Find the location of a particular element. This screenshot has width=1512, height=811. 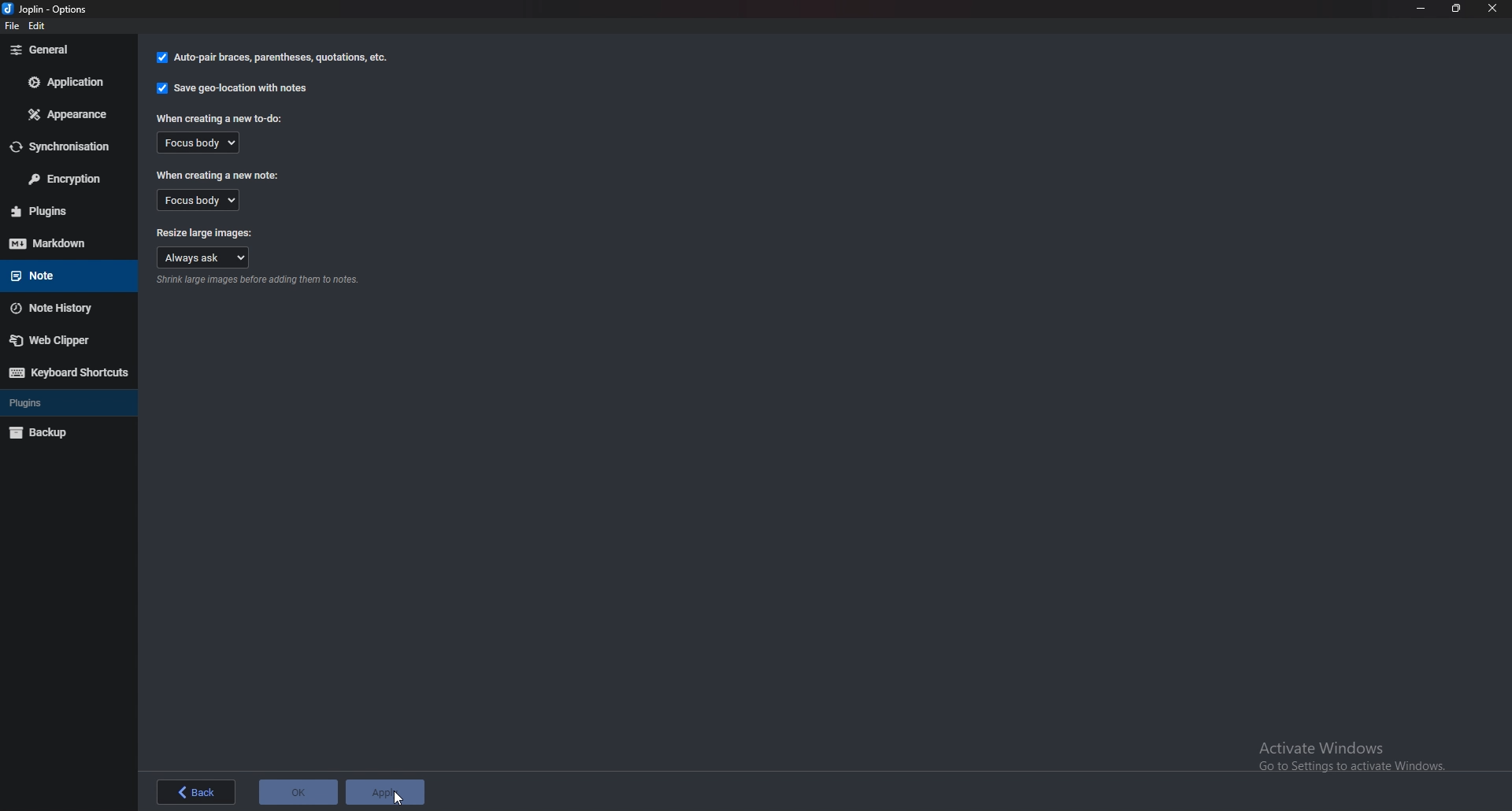

Minimize is located at coordinates (1421, 8).